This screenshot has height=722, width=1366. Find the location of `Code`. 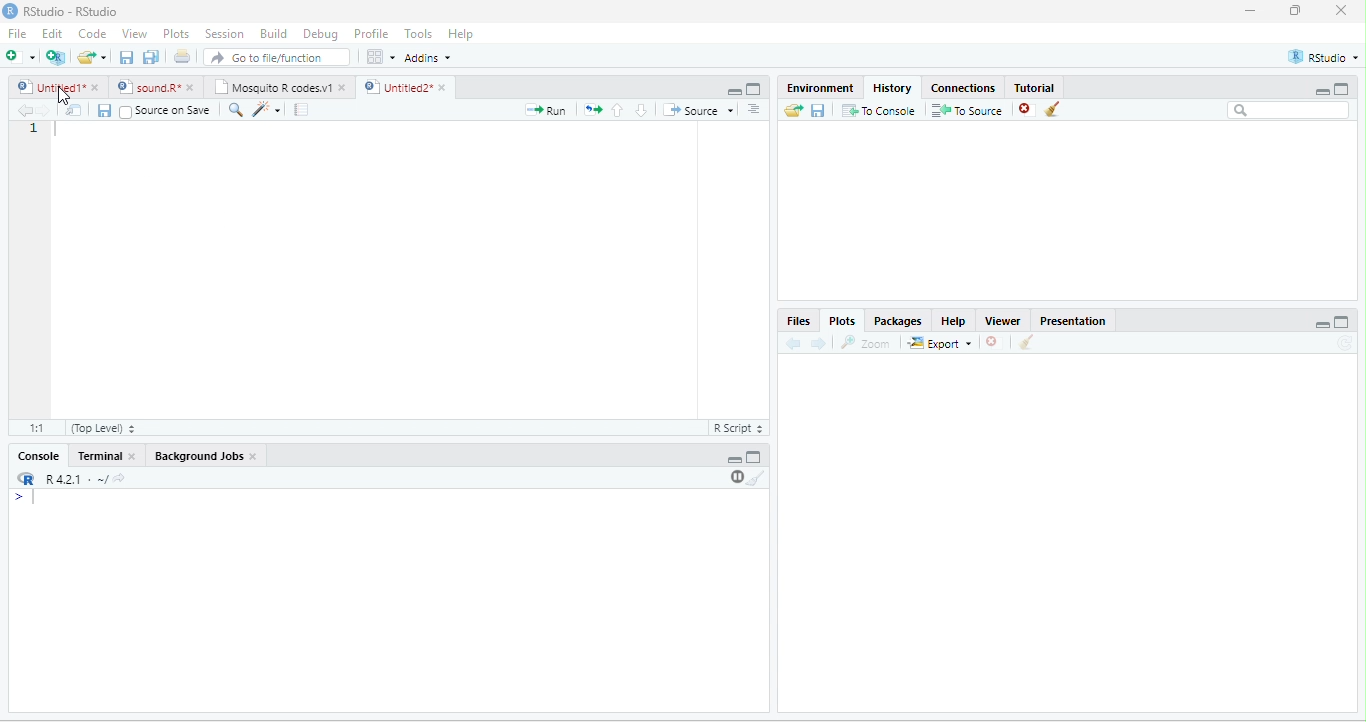

Code is located at coordinates (92, 33).